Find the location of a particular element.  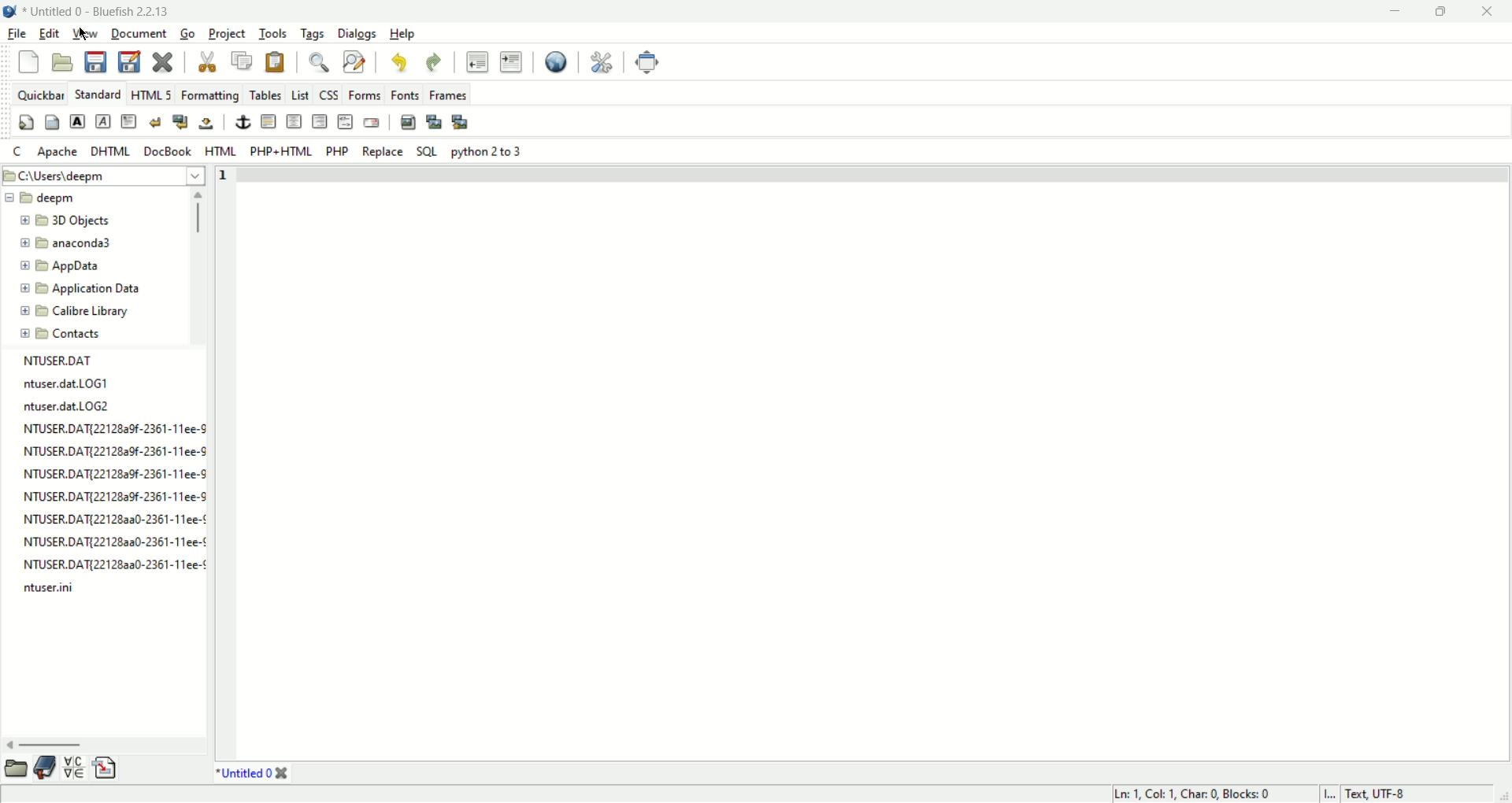

DHTML is located at coordinates (112, 151).